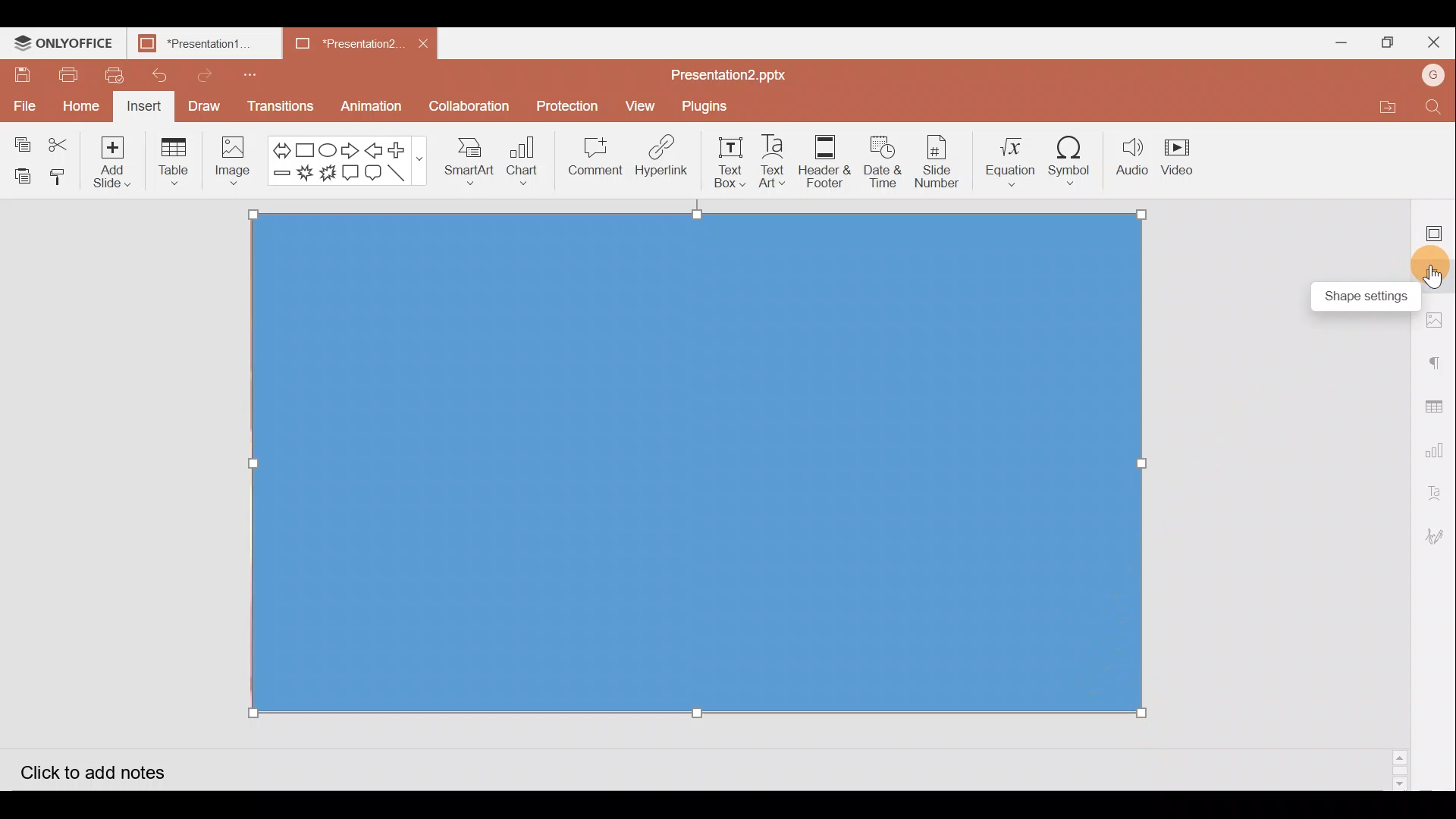 The height and width of the screenshot is (819, 1456). Describe the element at coordinates (22, 75) in the screenshot. I see `Save` at that location.